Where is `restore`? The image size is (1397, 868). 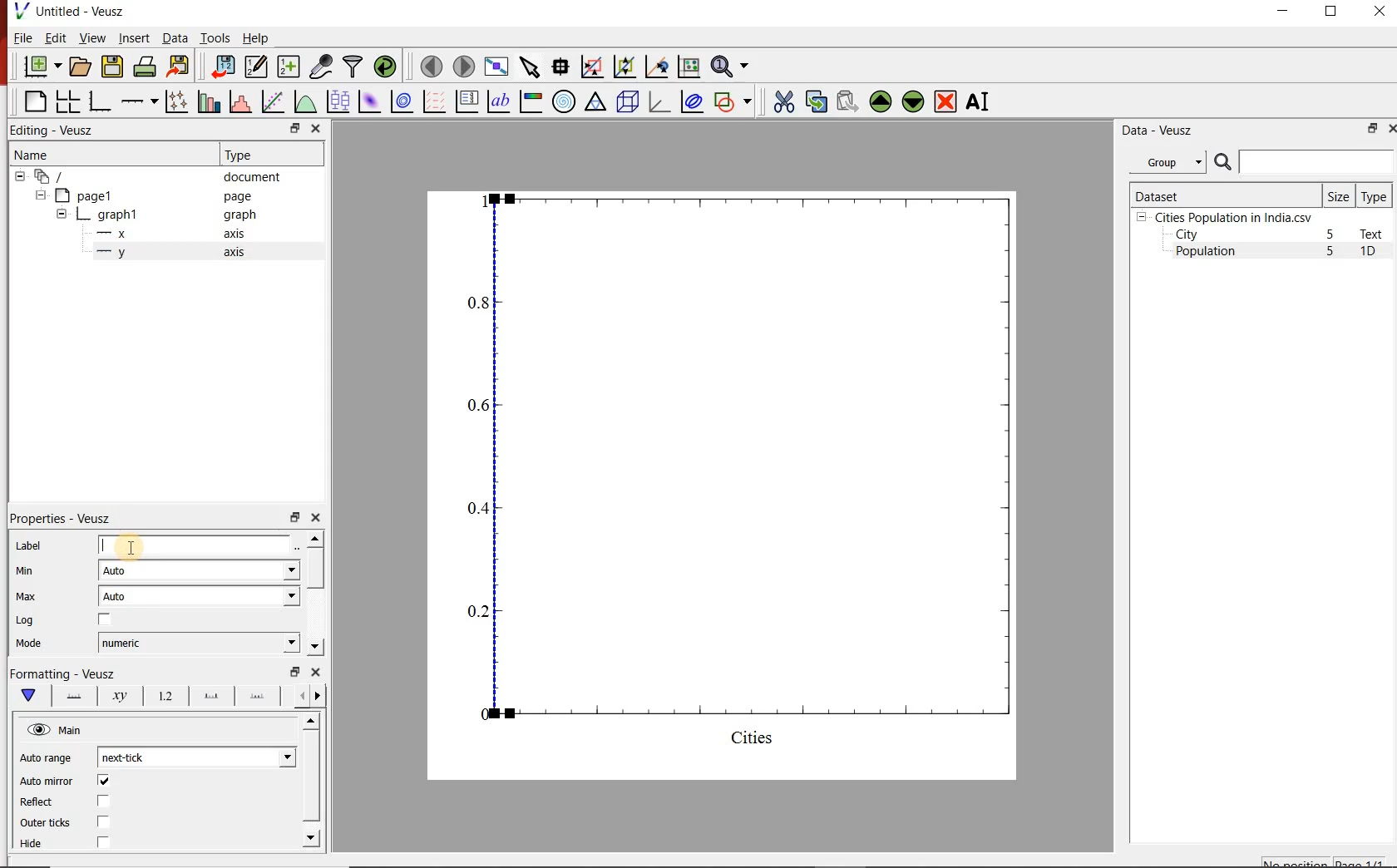 restore is located at coordinates (1373, 128).